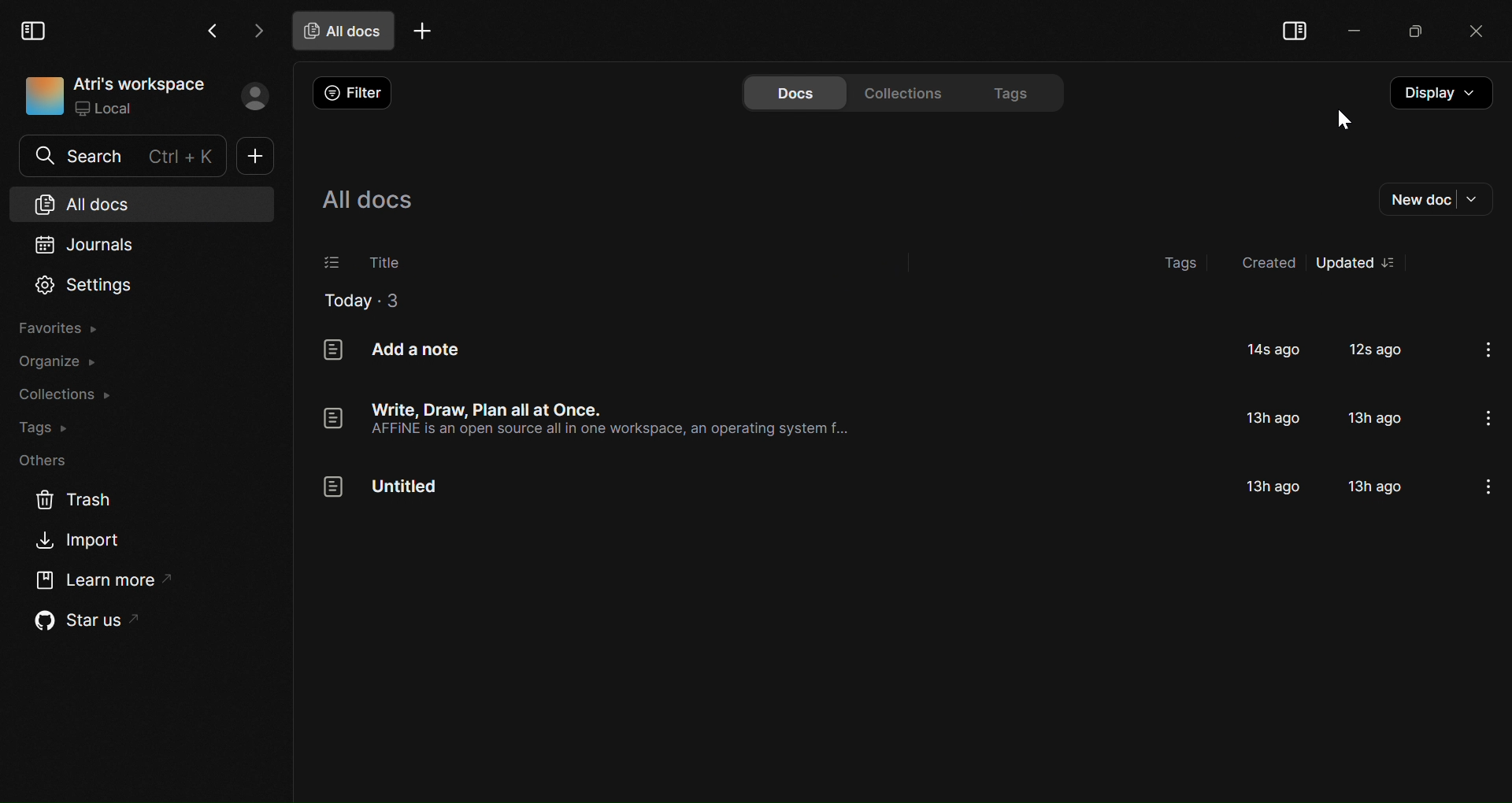  What do you see at coordinates (385, 263) in the screenshot?
I see `Title` at bounding box center [385, 263].